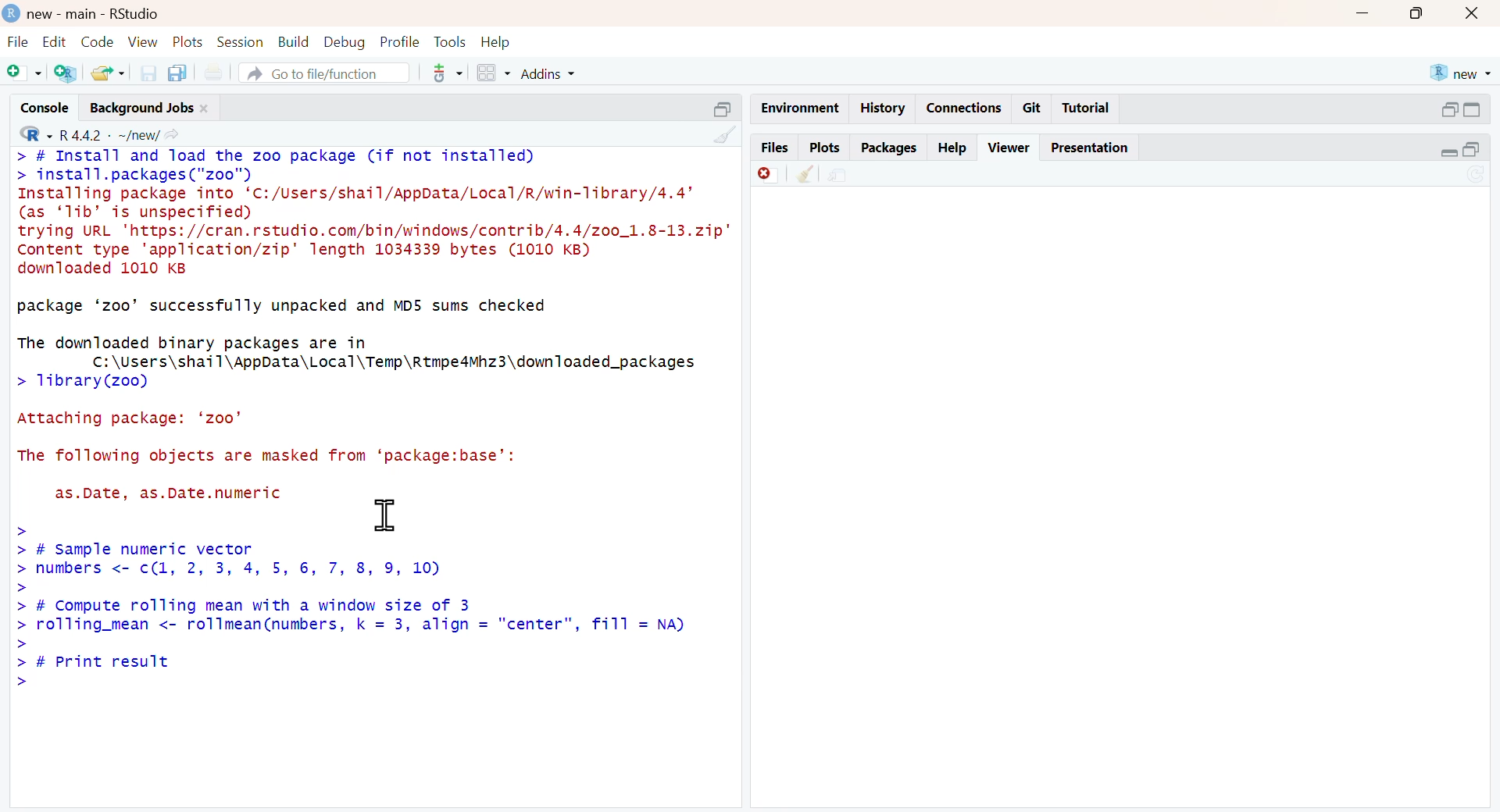  I want to click on The following objects are masked from ‘package:base’:, so click(267, 457).